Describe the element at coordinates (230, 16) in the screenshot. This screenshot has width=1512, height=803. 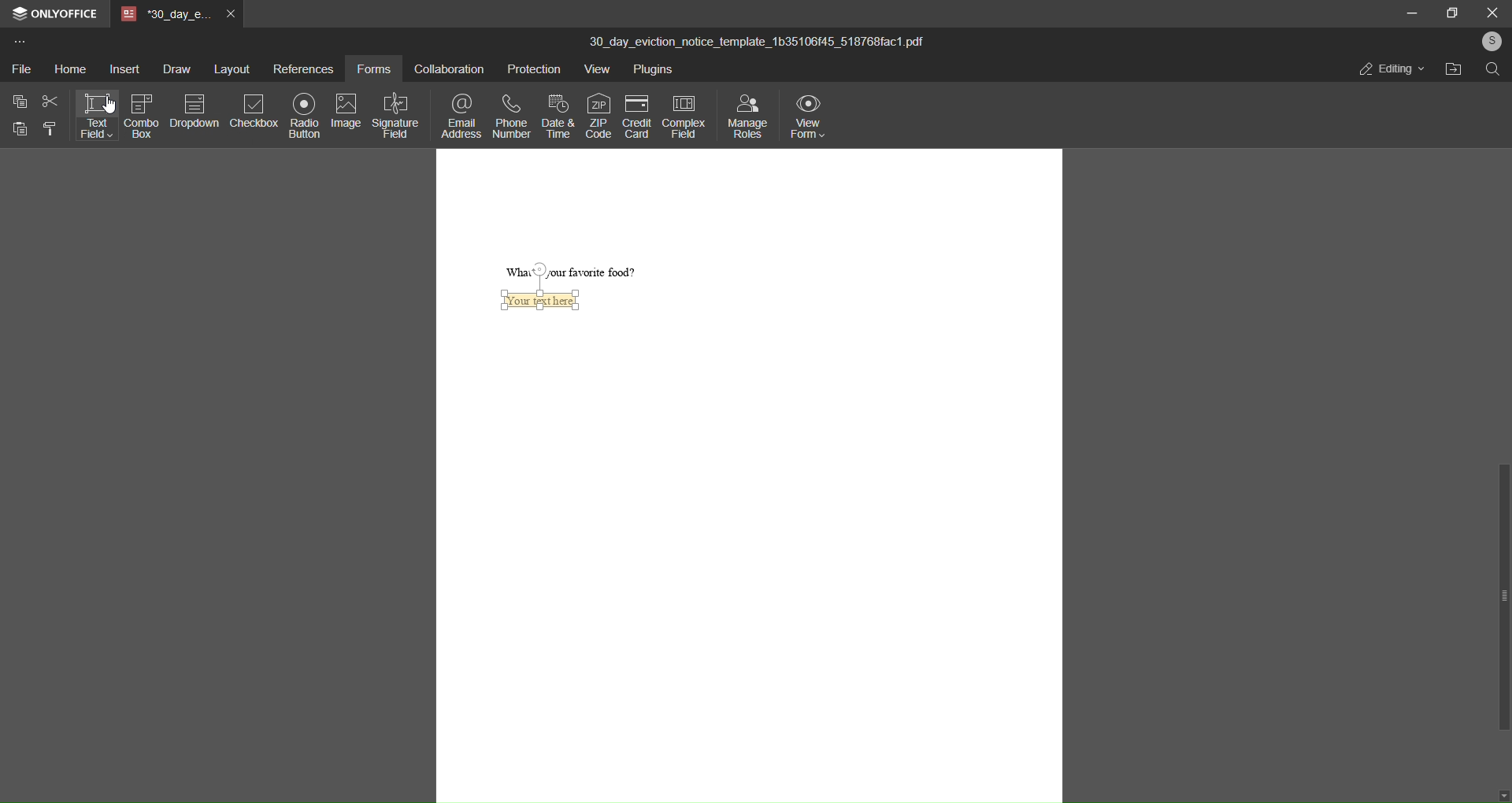
I see `close tab` at that location.